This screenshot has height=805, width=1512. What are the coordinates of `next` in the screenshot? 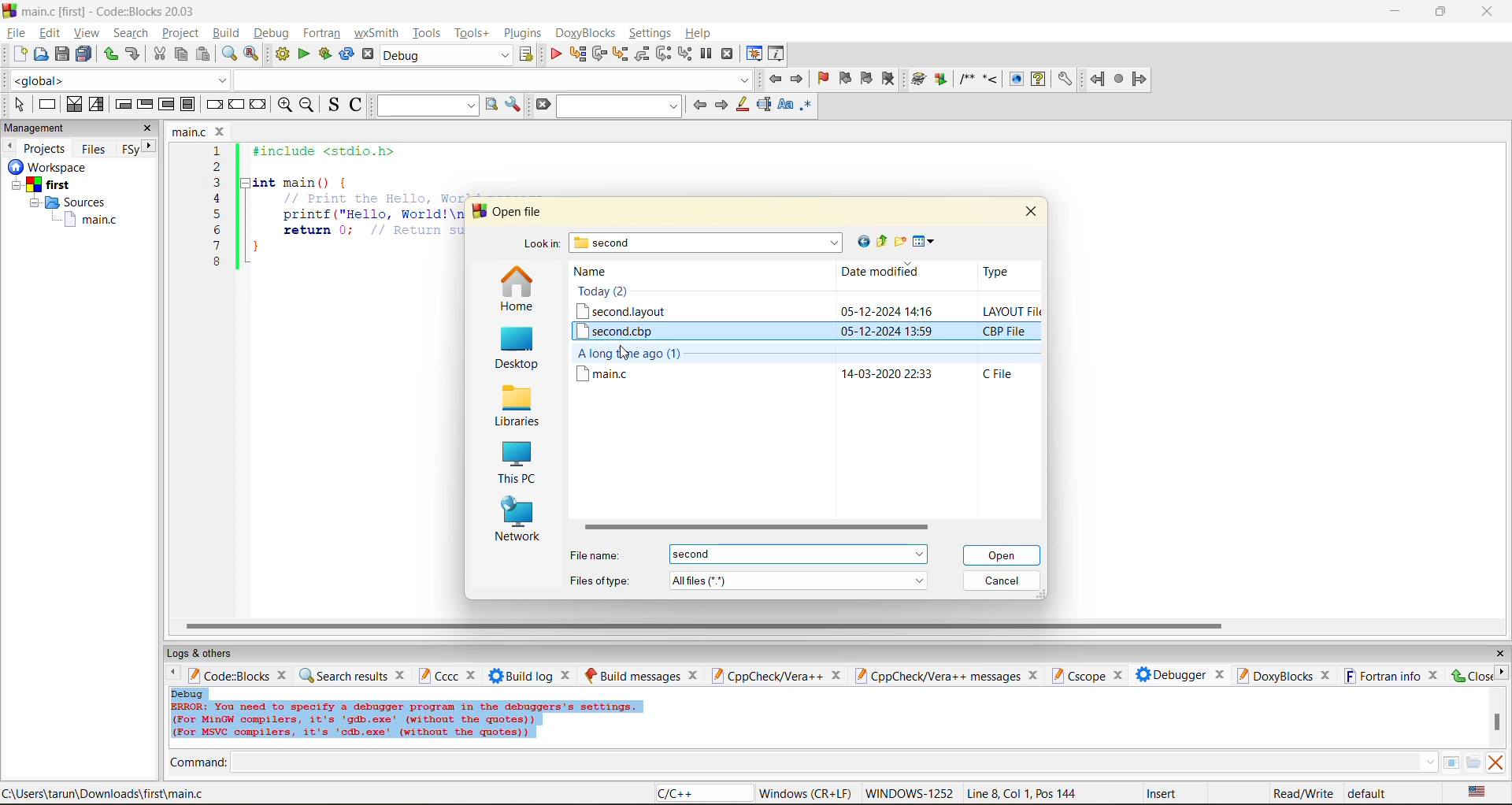 It's located at (150, 146).